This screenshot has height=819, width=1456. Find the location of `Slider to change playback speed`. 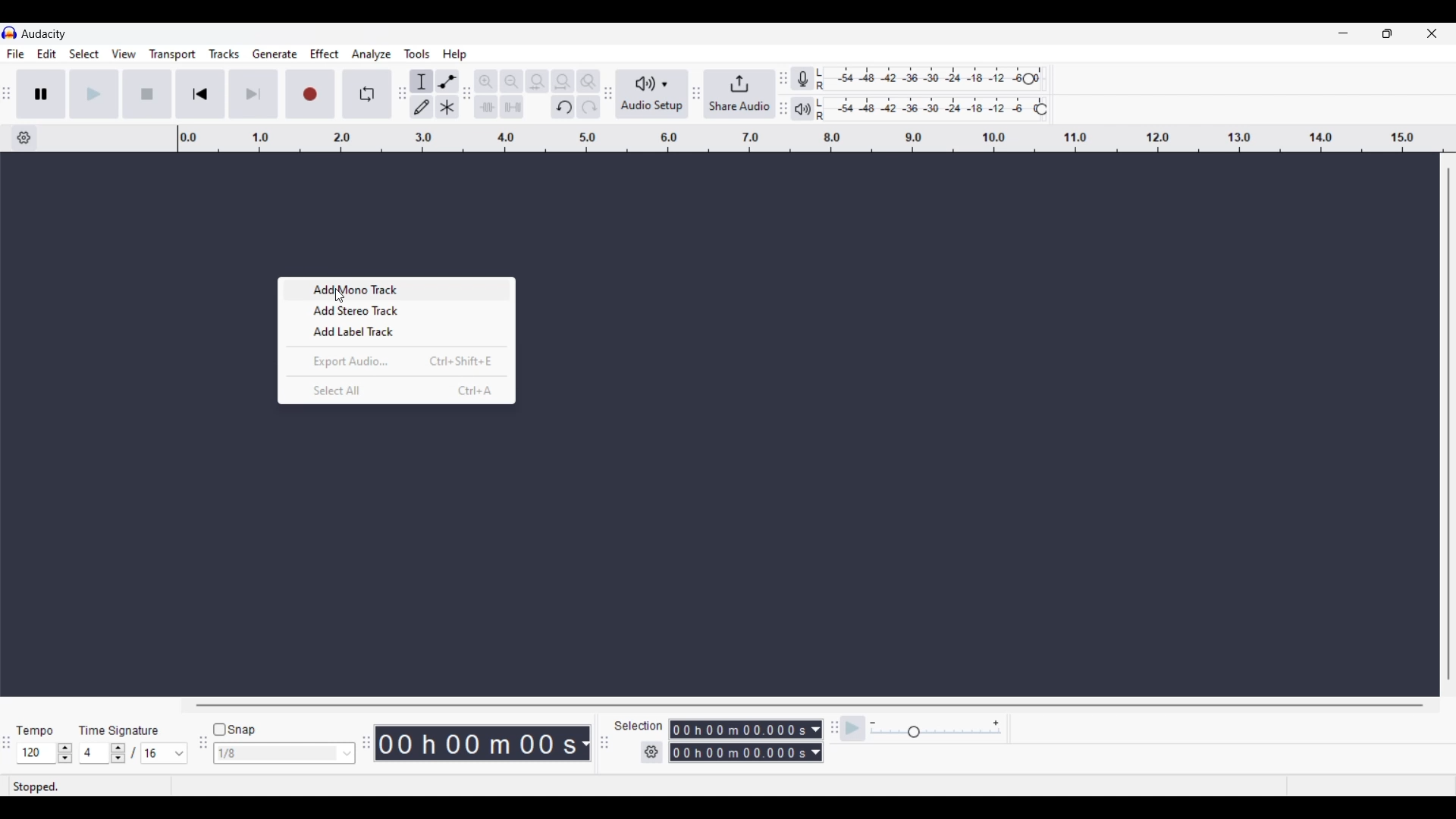

Slider to change playback speed is located at coordinates (936, 733).